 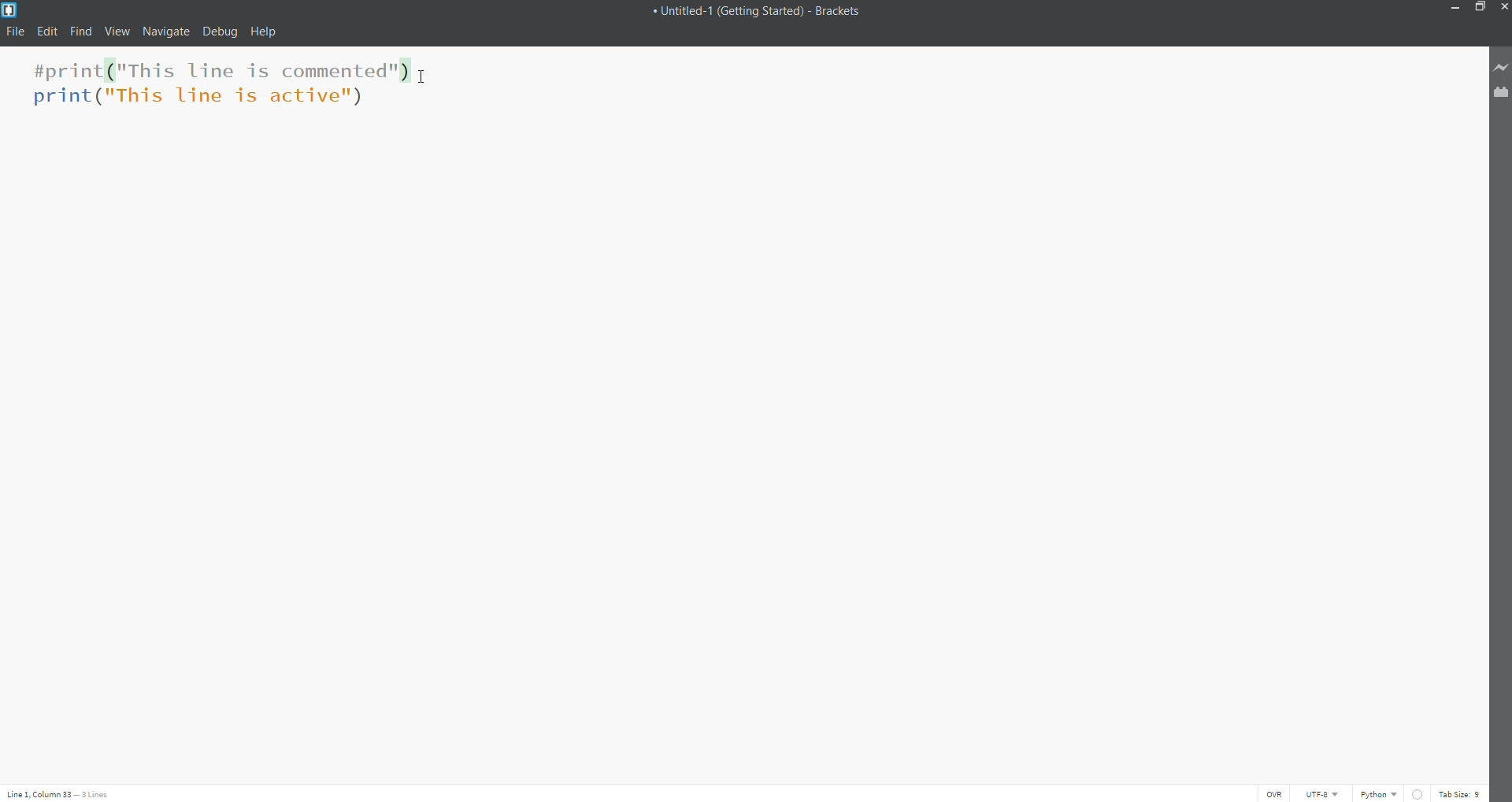 What do you see at coordinates (221, 33) in the screenshot?
I see `Debug` at bounding box center [221, 33].